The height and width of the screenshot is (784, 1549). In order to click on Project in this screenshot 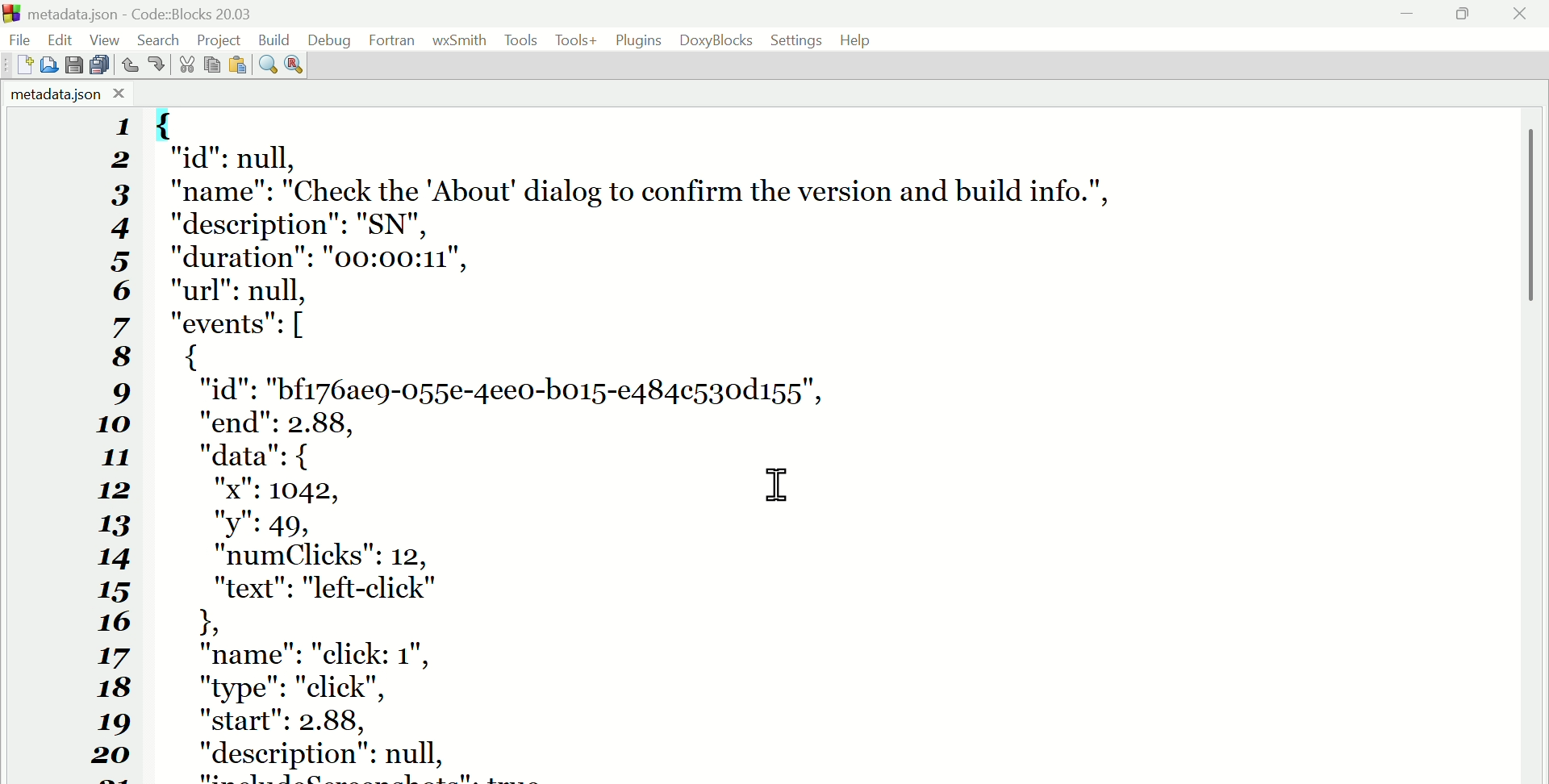, I will do `click(221, 38)`.